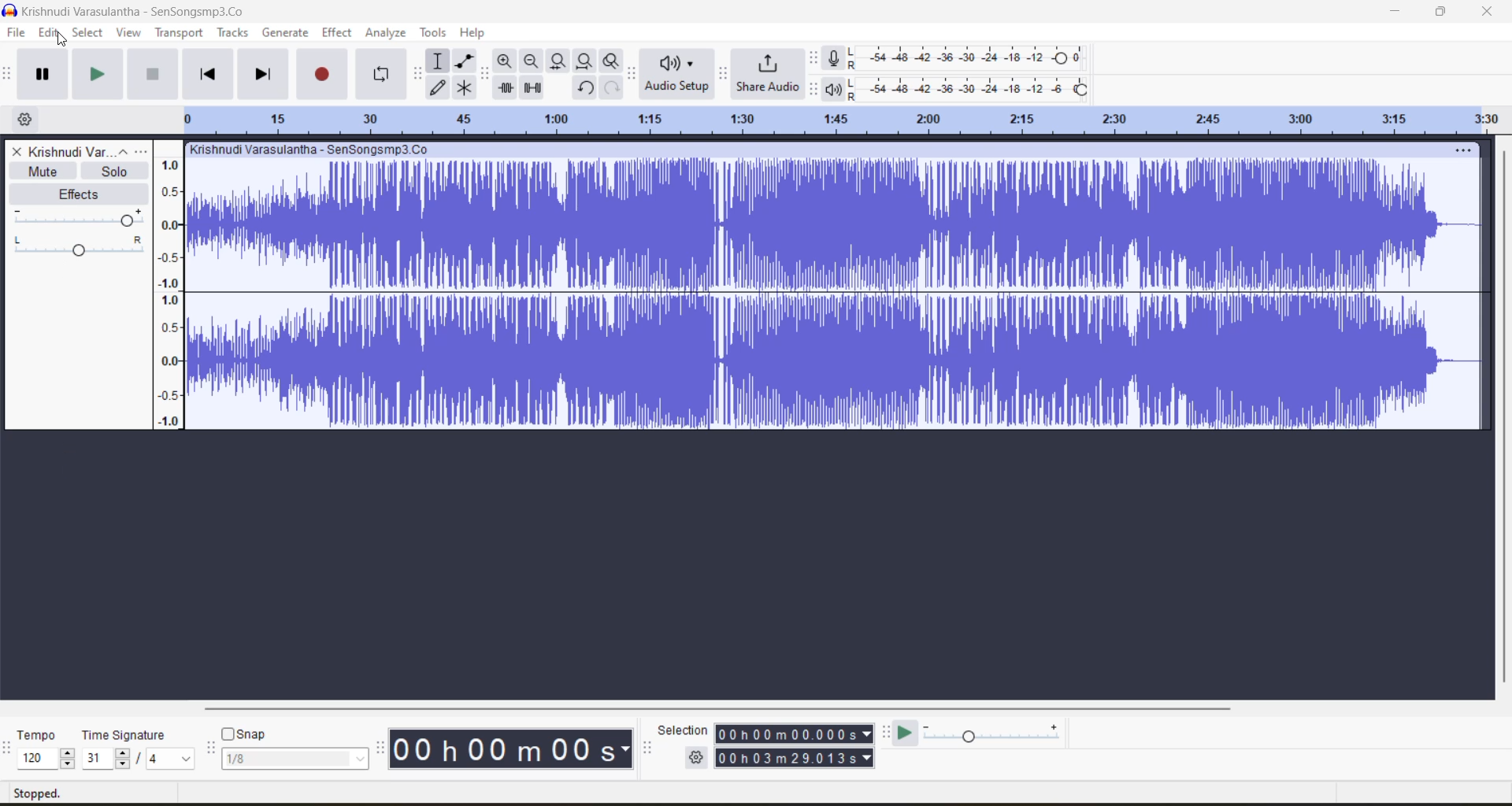 The height and width of the screenshot is (806, 1512). I want to click on edit tool bar, so click(484, 73).